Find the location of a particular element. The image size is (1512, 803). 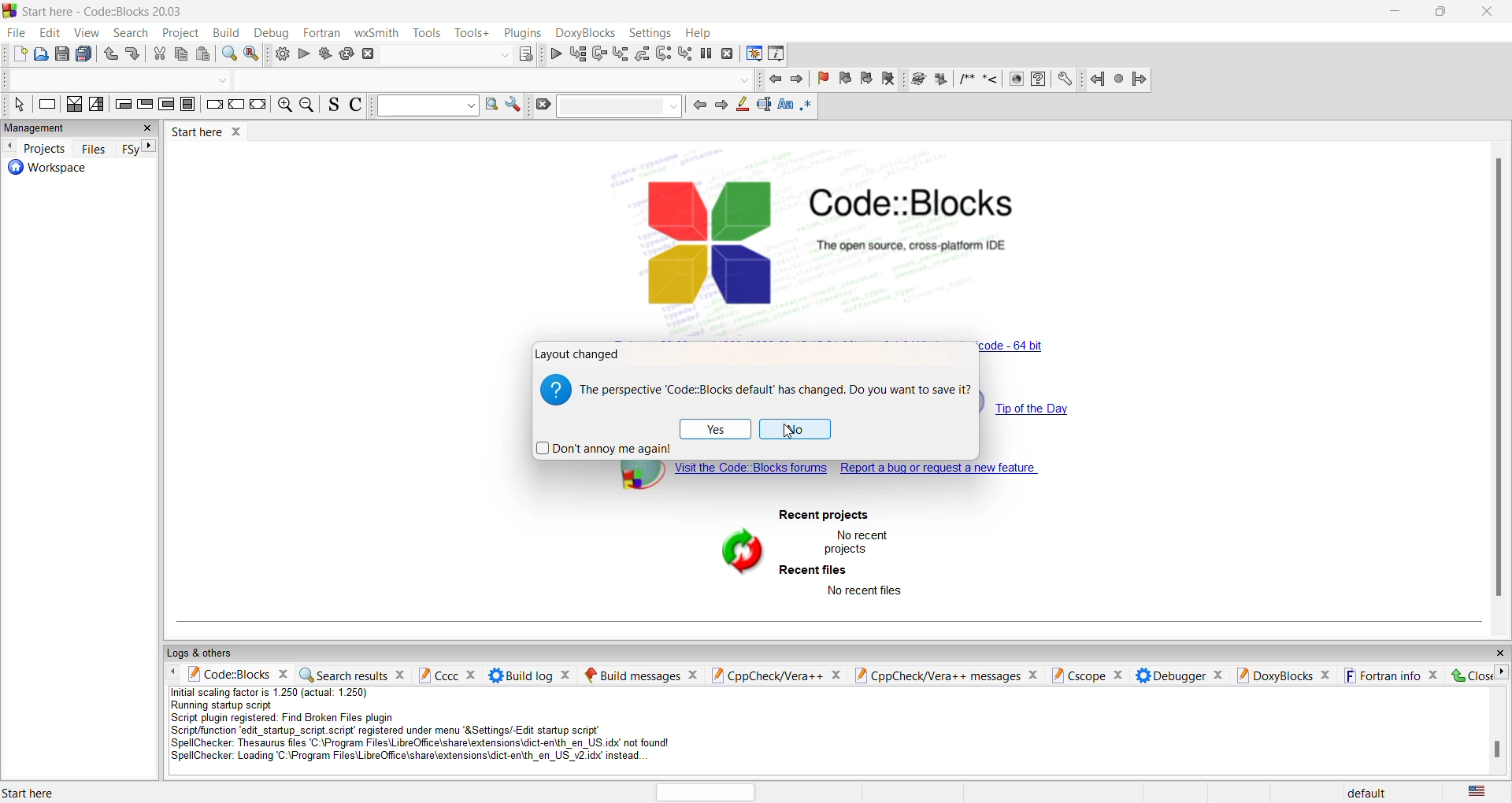

faq is located at coordinates (1038, 80).